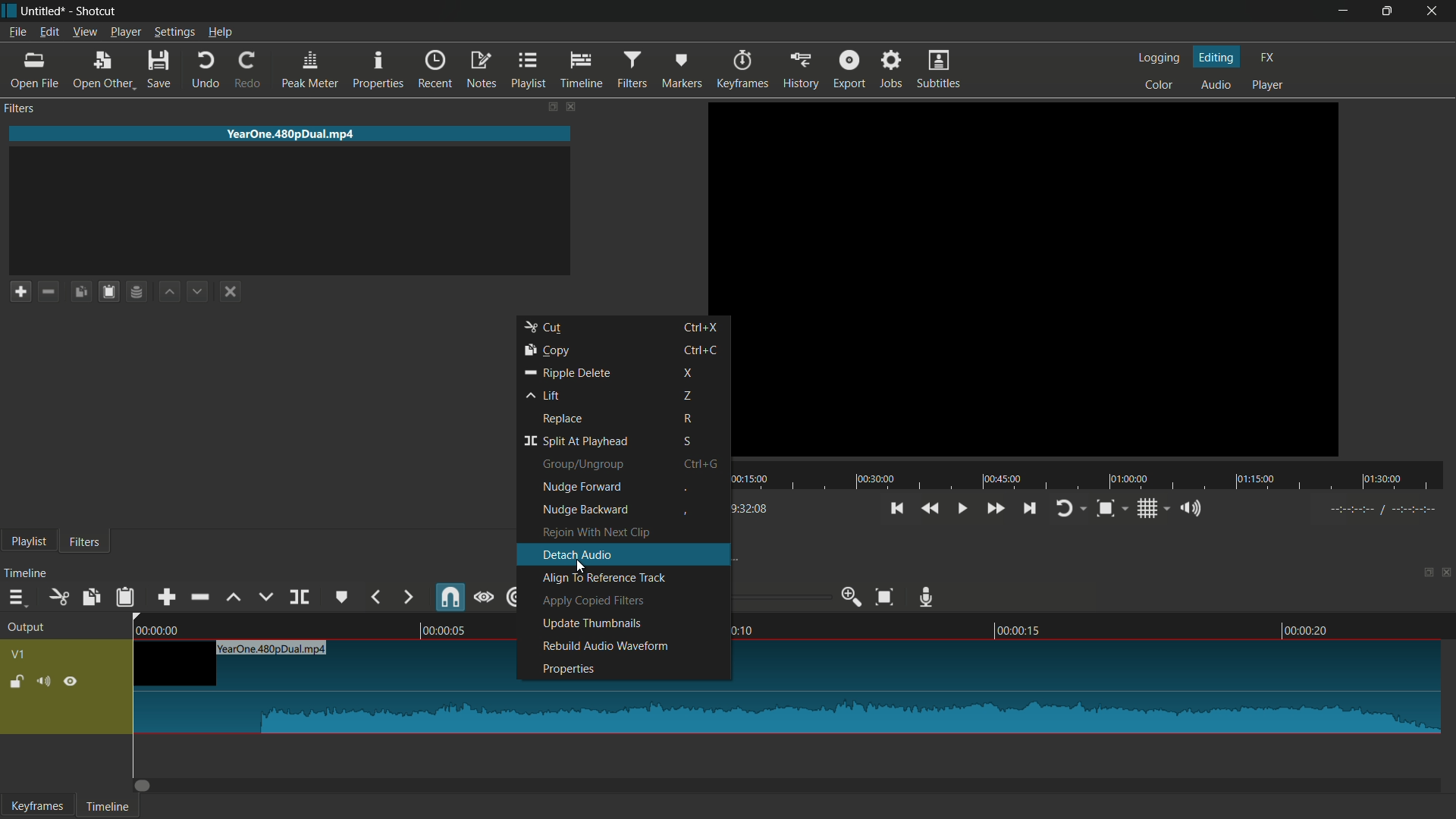 The width and height of the screenshot is (1456, 819). What do you see at coordinates (127, 33) in the screenshot?
I see `player menu` at bounding box center [127, 33].